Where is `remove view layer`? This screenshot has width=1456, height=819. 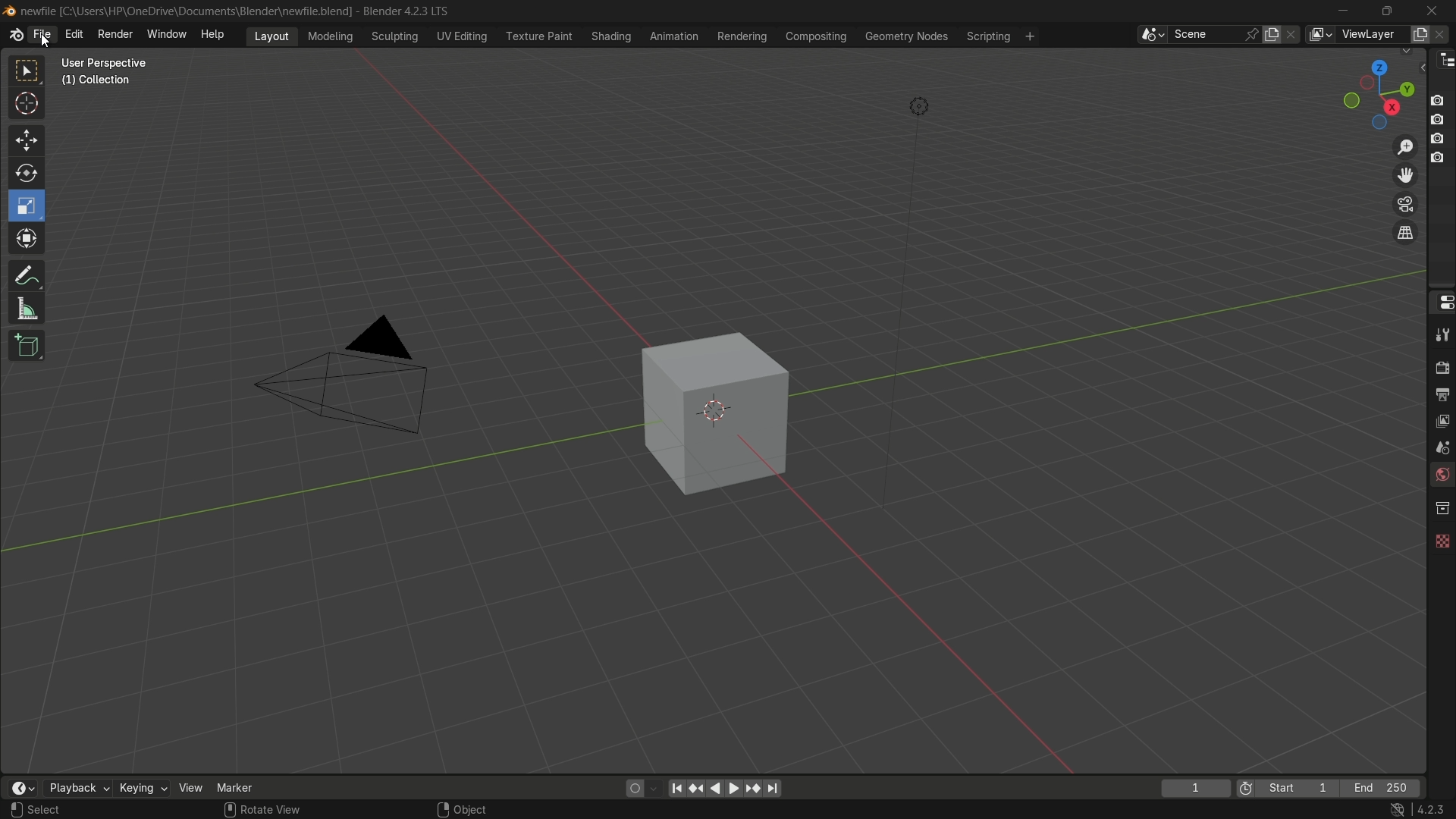 remove view layer is located at coordinates (1443, 33).